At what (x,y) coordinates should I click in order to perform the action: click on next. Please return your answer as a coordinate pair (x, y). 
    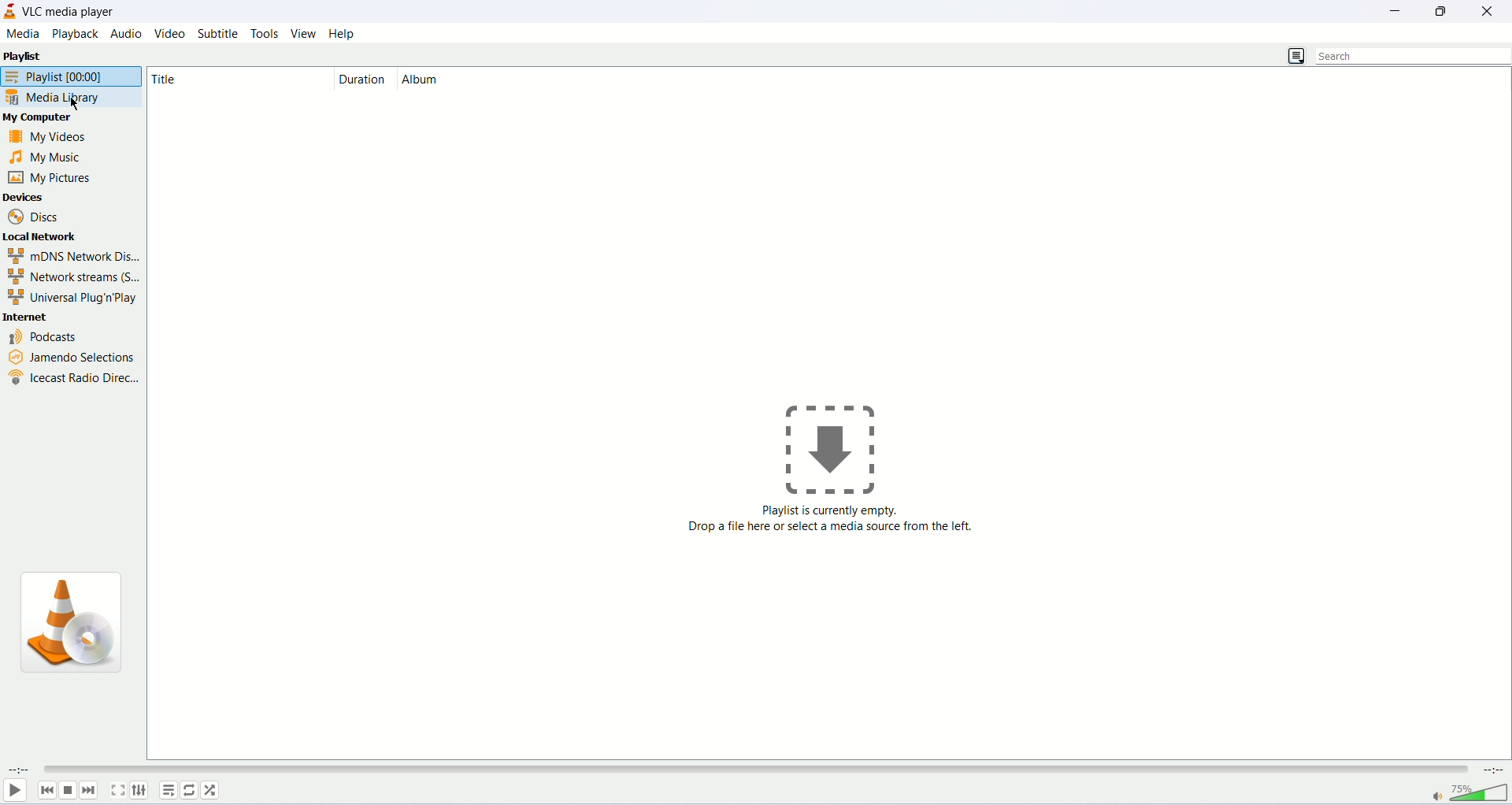
    Looking at the image, I should click on (89, 790).